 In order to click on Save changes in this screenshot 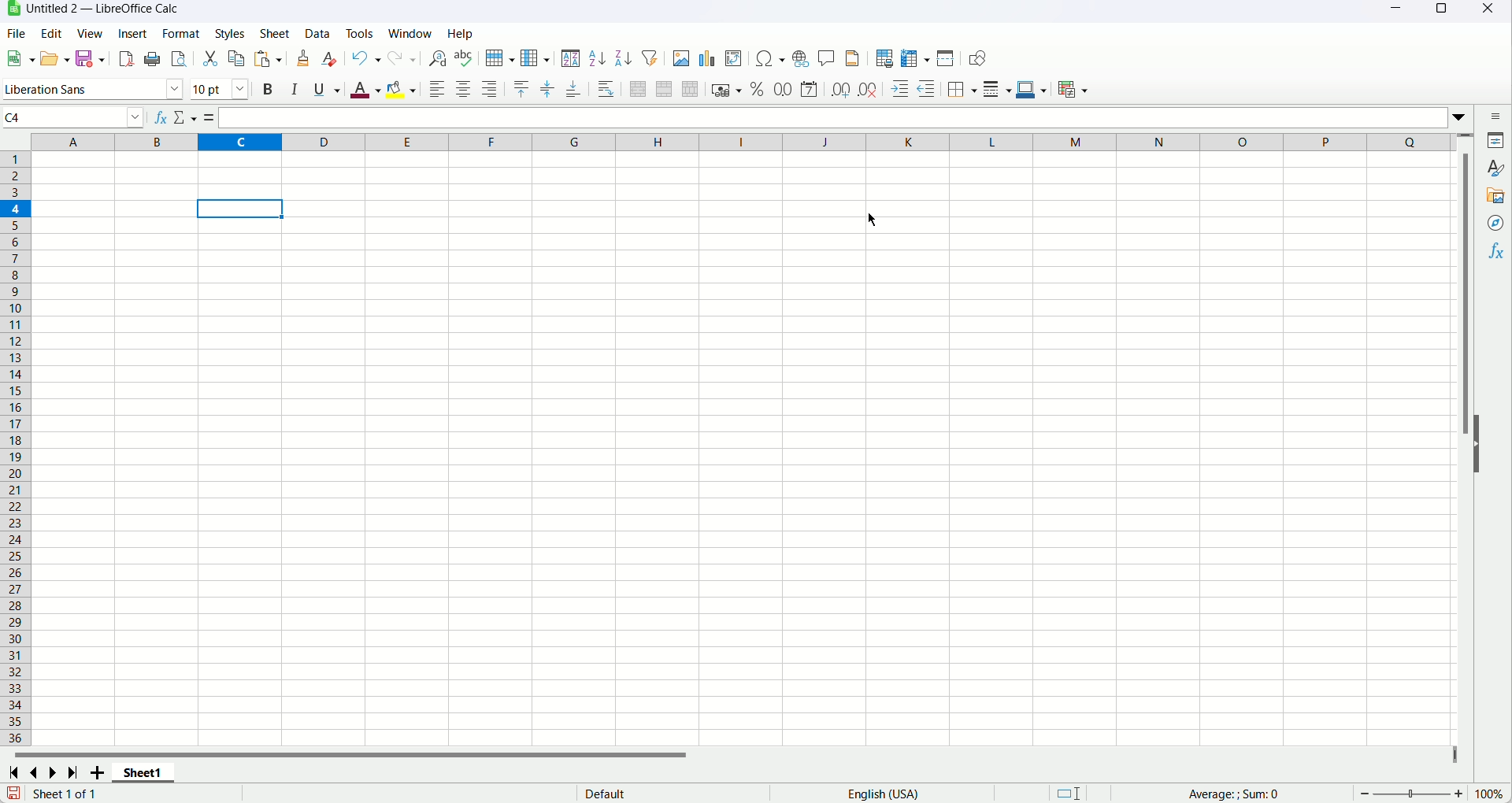, I will do `click(11, 792)`.